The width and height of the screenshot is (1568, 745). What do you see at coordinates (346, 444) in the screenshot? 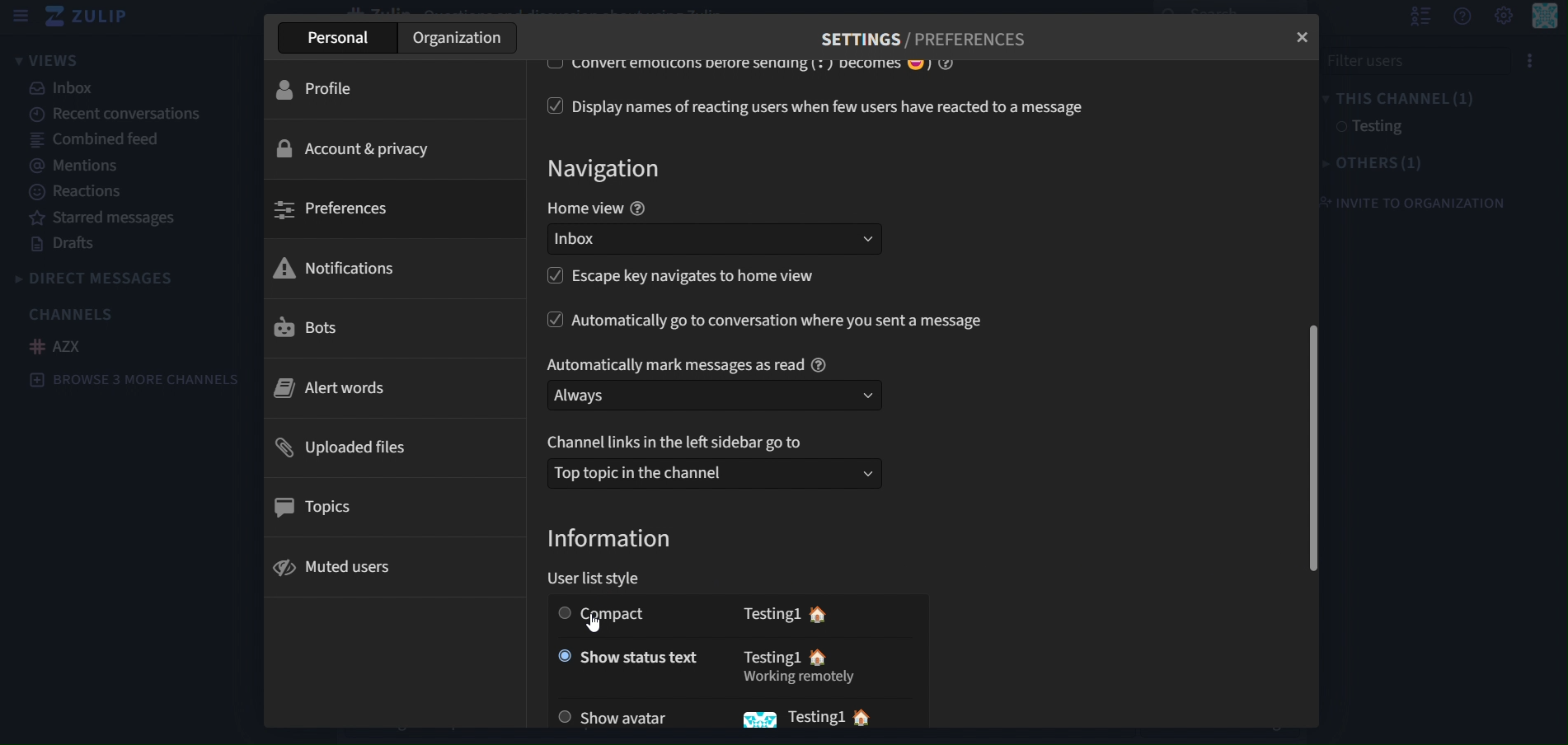
I see `uploaded files` at bounding box center [346, 444].